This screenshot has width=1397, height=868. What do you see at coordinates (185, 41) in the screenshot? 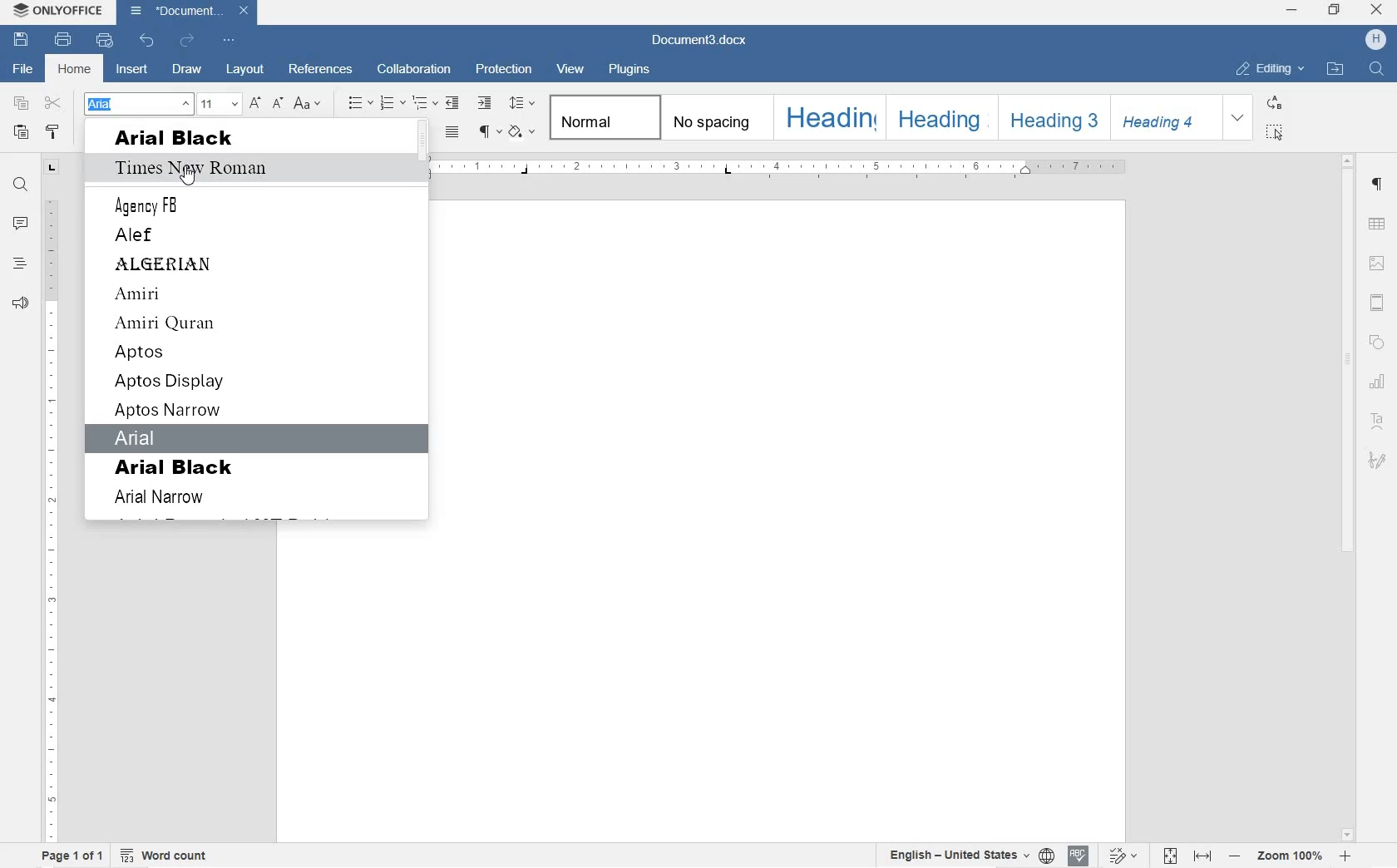
I see `REDO` at bounding box center [185, 41].